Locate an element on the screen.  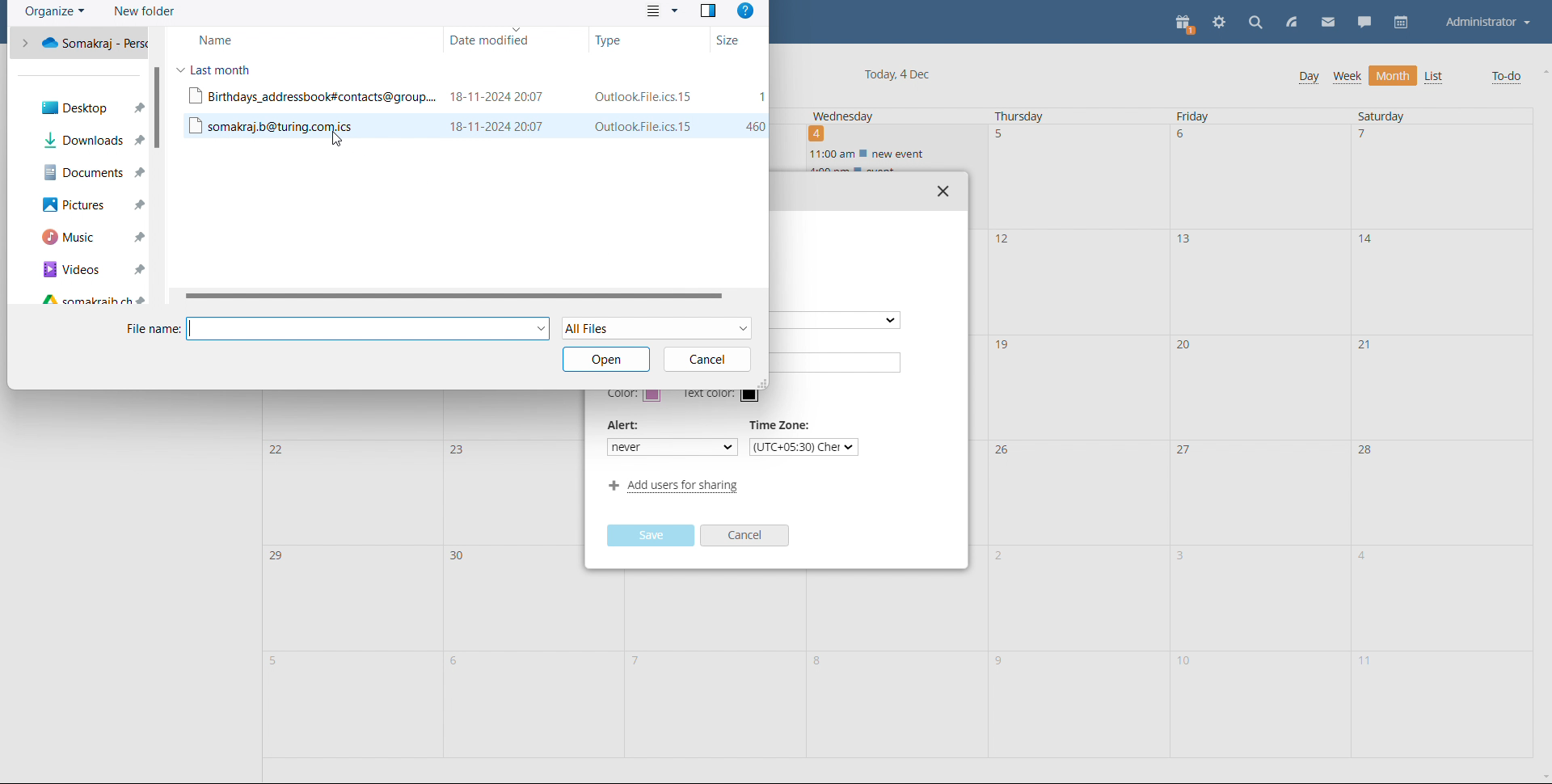
file name is located at coordinates (152, 330).